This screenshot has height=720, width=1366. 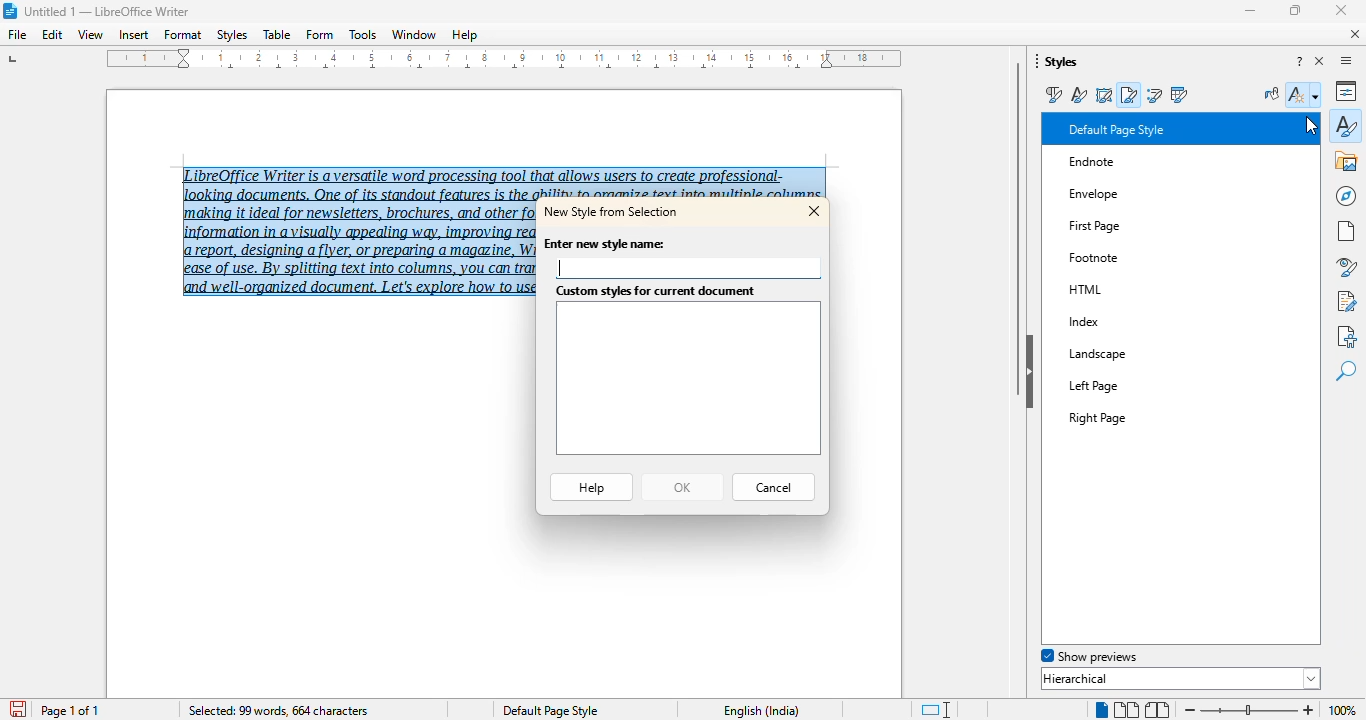 I want to click on page styles, so click(x=1130, y=94).